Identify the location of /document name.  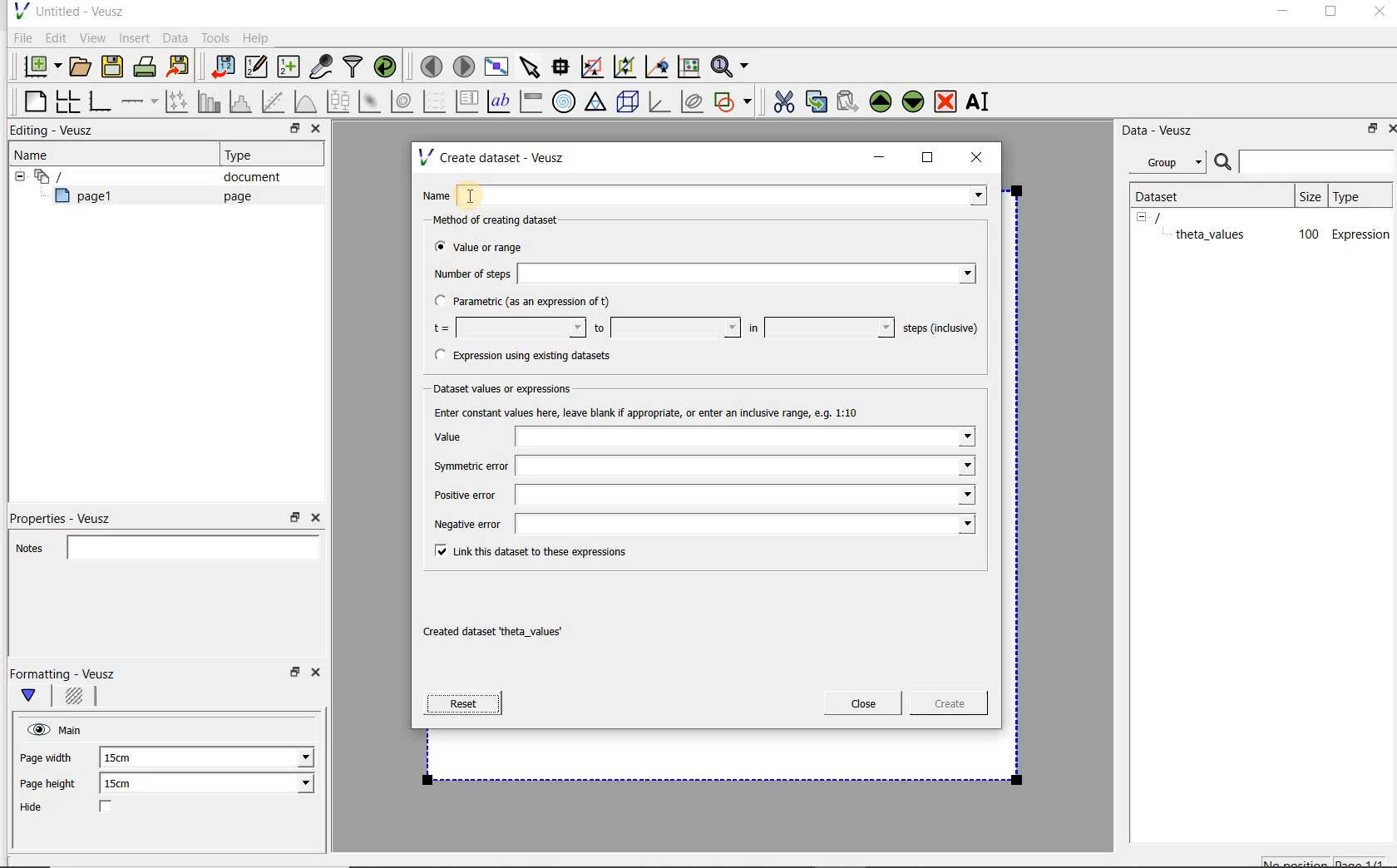
(1172, 216).